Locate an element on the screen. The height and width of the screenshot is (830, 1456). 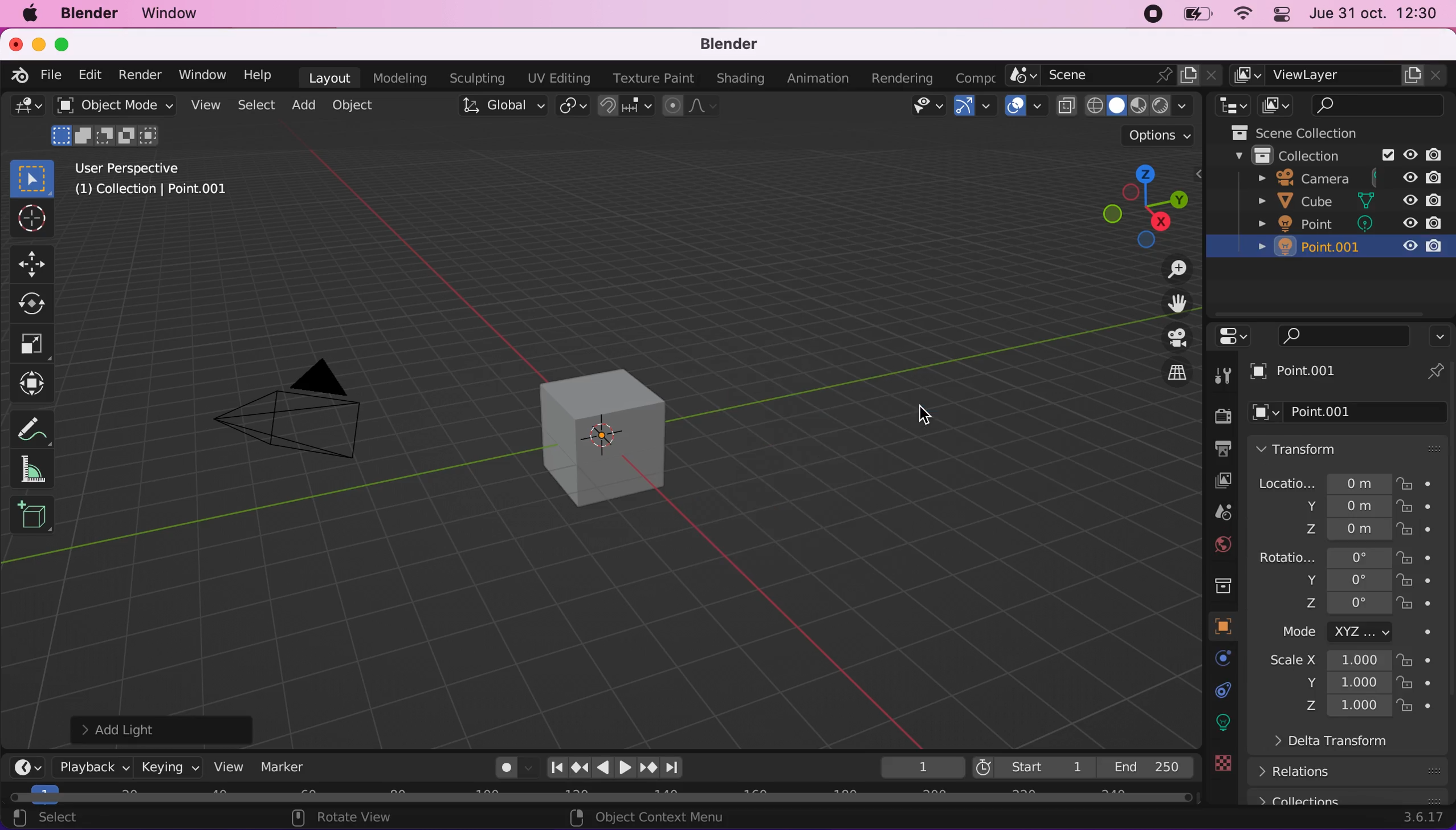
texture paint is located at coordinates (654, 78).